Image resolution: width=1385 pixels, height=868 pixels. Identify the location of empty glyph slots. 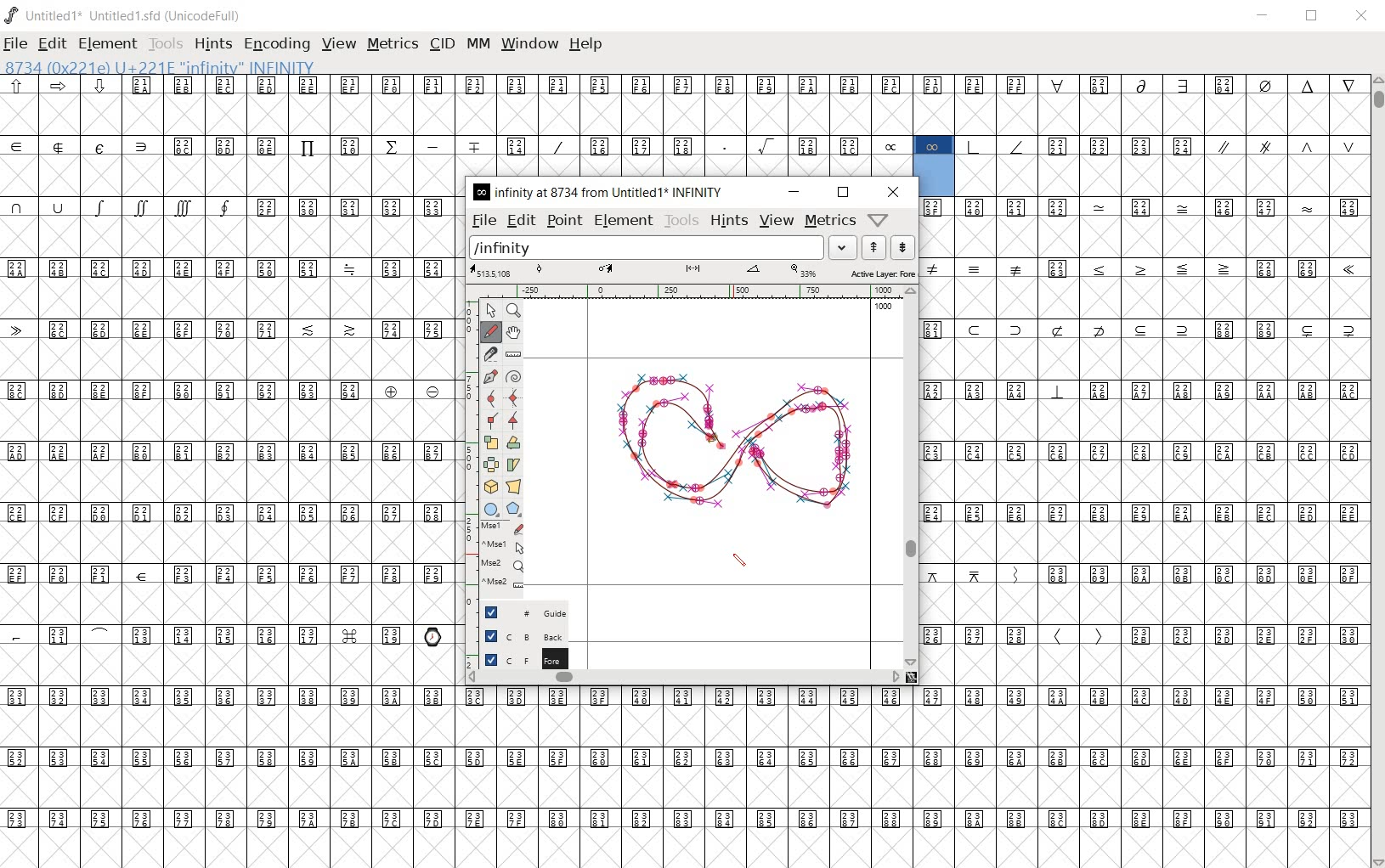
(1162, 176).